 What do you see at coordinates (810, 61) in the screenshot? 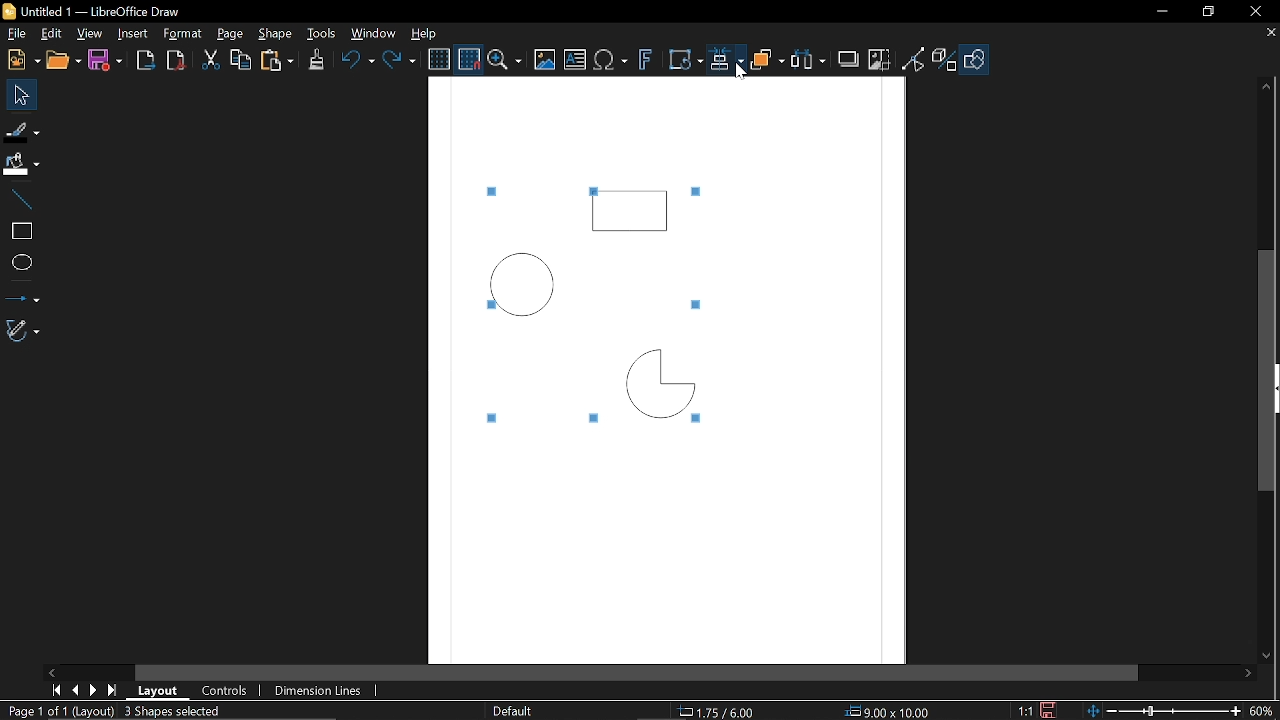
I see `Select at least three objects to distribute` at bounding box center [810, 61].